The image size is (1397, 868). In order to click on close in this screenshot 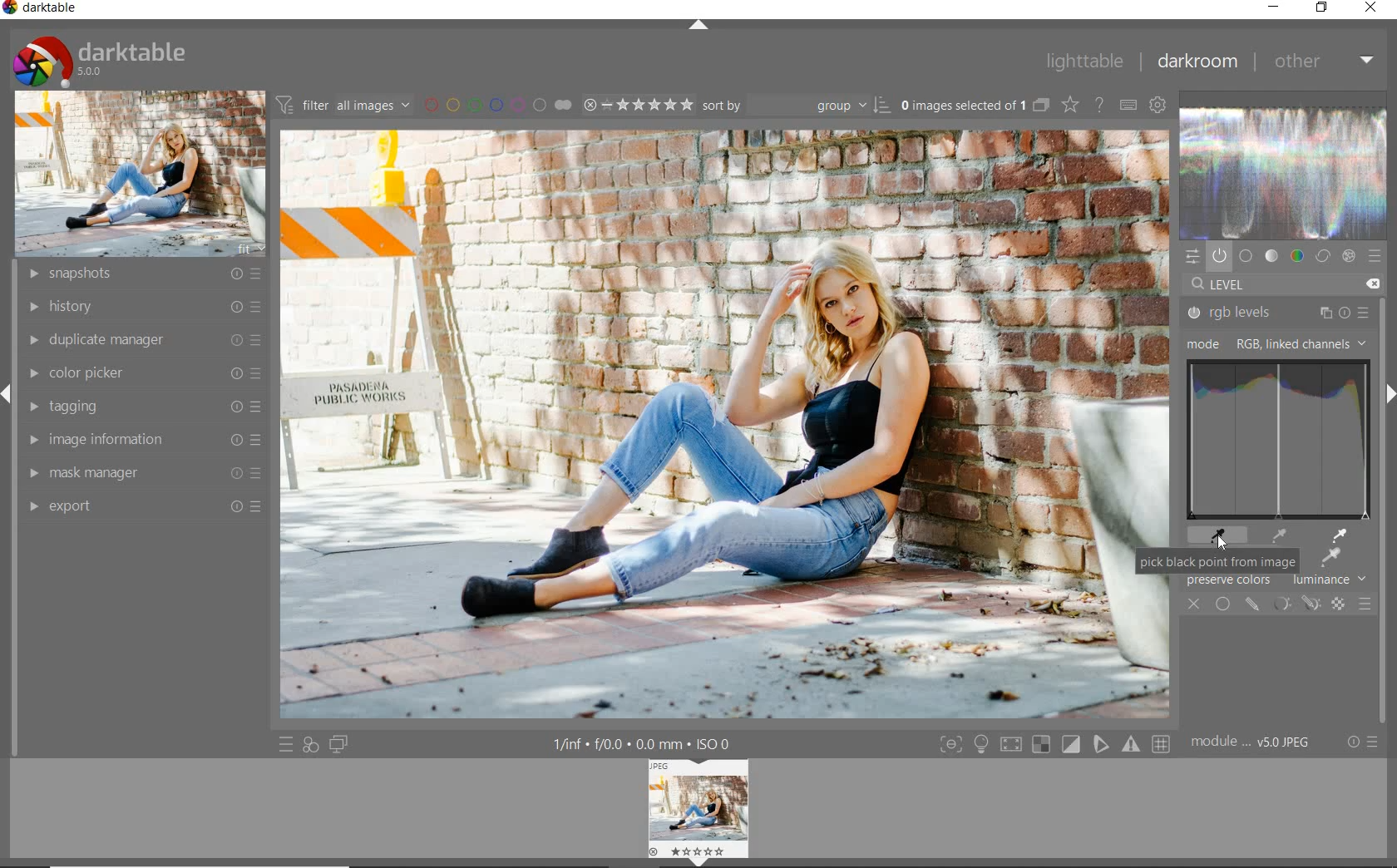, I will do `click(1372, 9)`.